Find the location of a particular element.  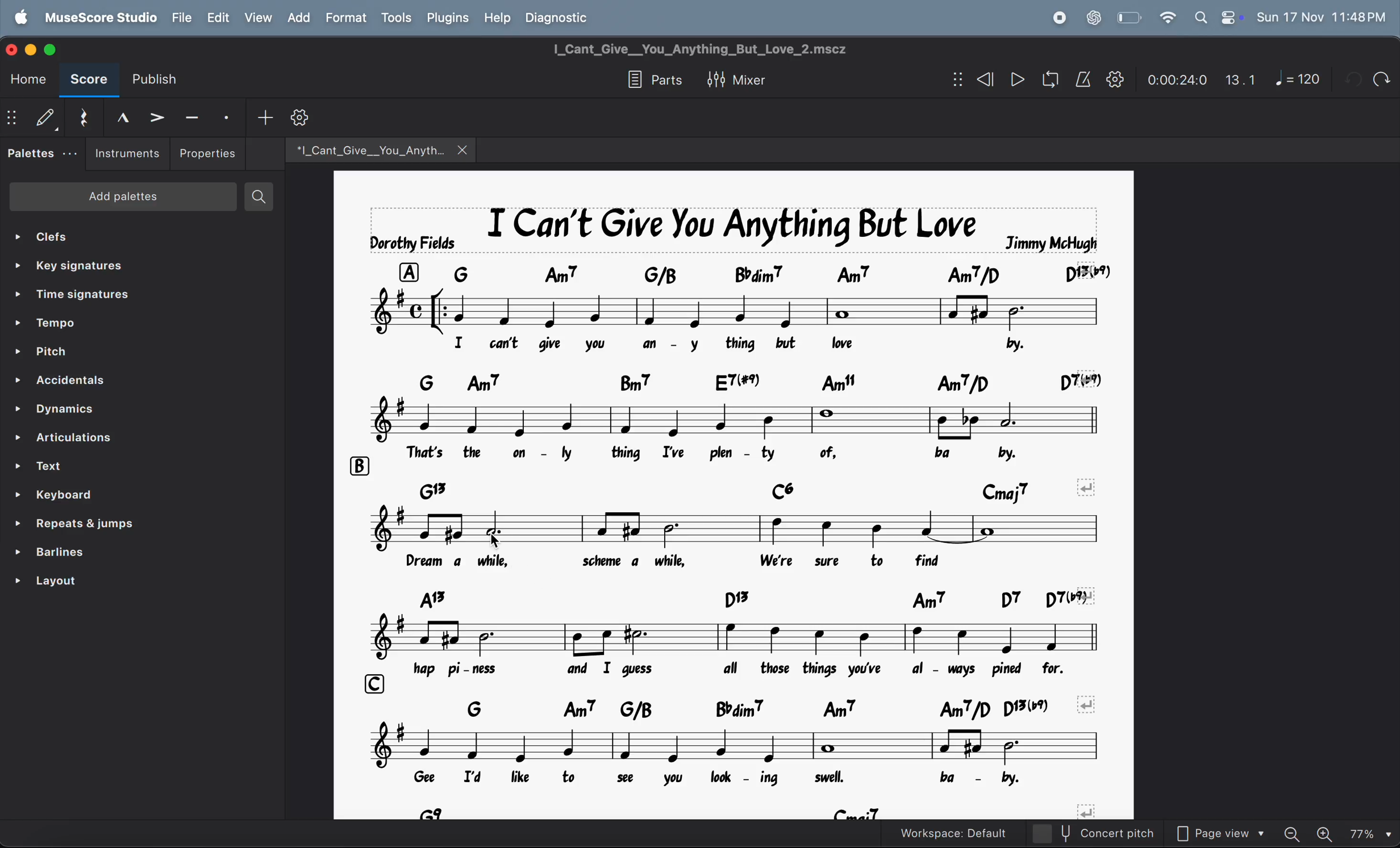

publish is located at coordinates (161, 76).